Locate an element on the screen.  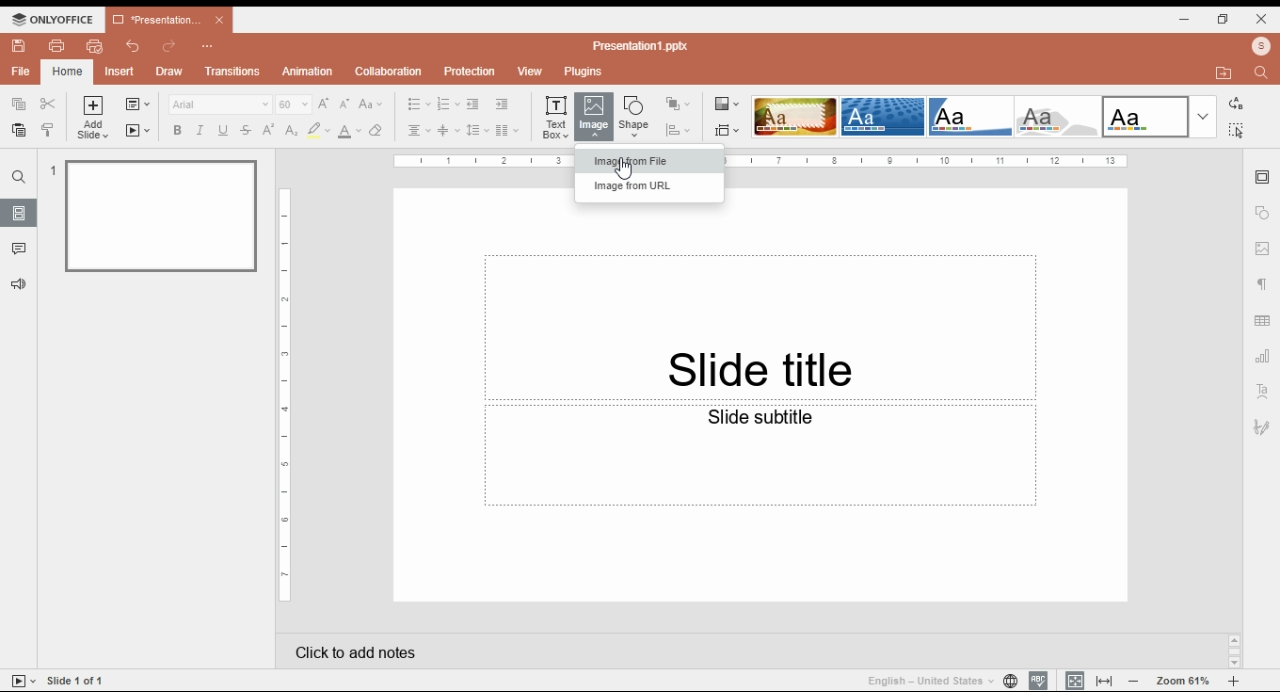
charts  settings is located at coordinates (1263, 354).